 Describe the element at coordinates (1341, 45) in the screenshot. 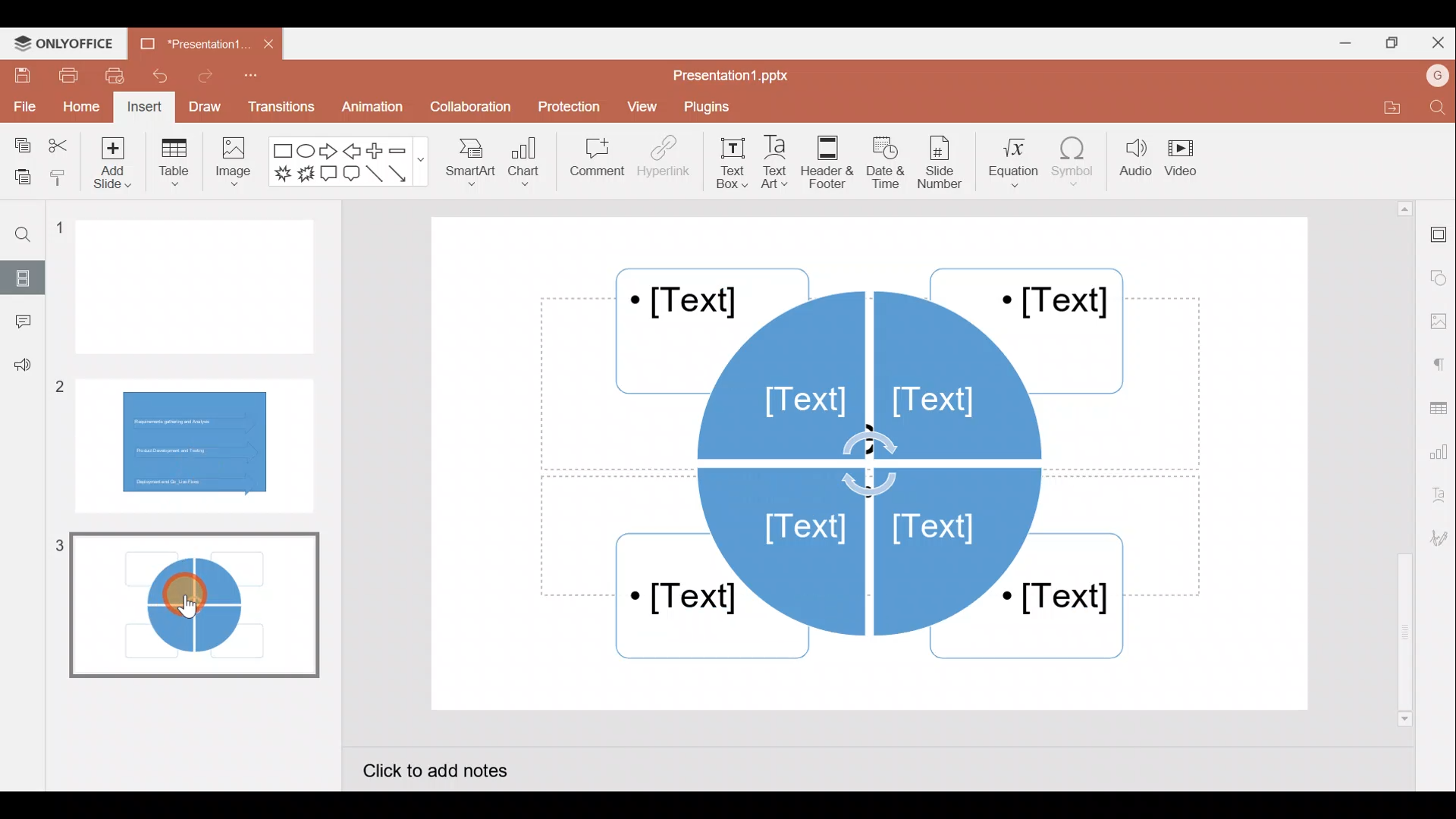

I see `Minimize` at that location.